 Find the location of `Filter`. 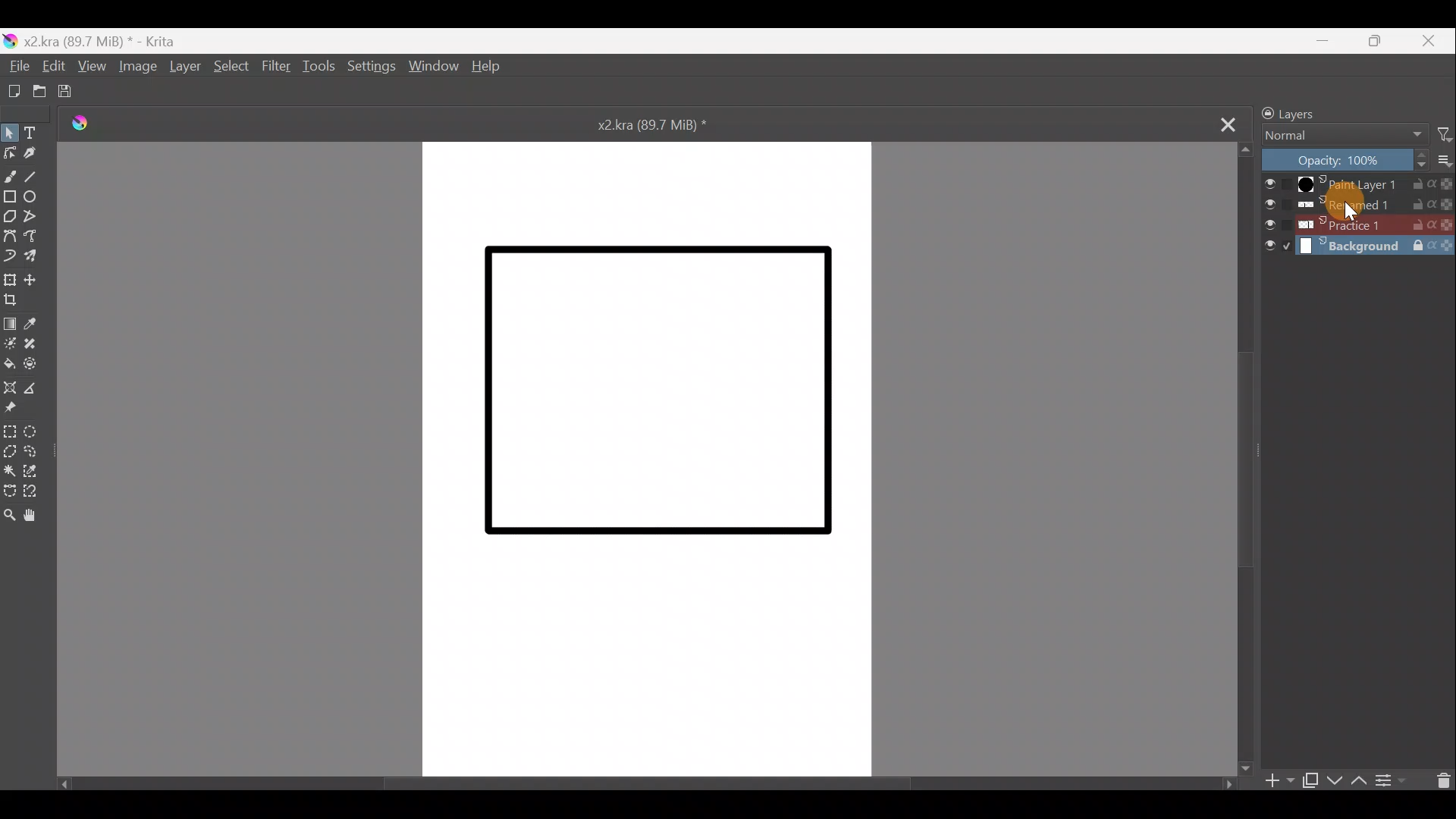

Filter is located at coordinates (1443, 135).